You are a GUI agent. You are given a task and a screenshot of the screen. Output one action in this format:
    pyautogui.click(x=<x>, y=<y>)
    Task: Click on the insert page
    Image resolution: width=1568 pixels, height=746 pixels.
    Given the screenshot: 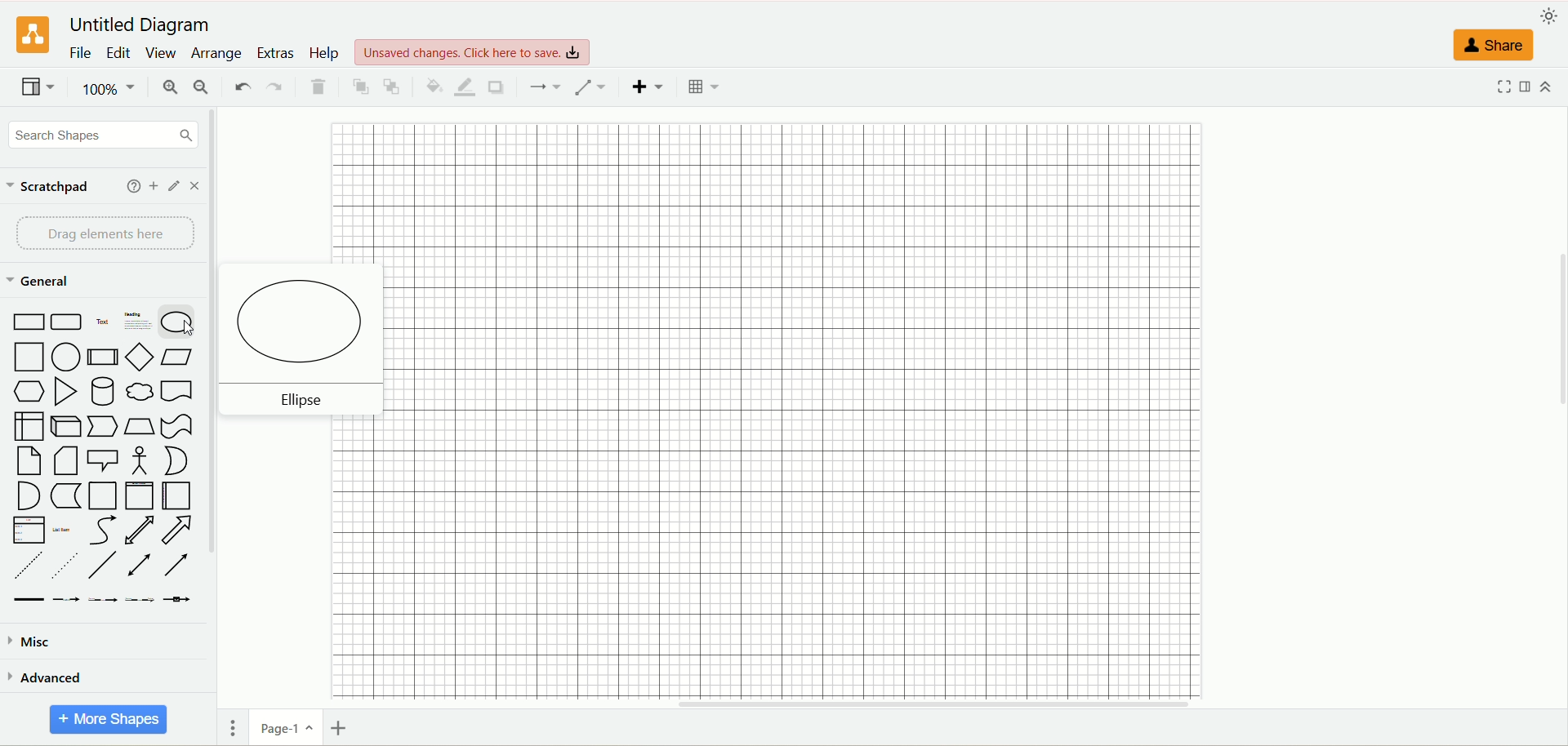 What is the action you would take?
    pyautogui.click(x=341, y=726)
    